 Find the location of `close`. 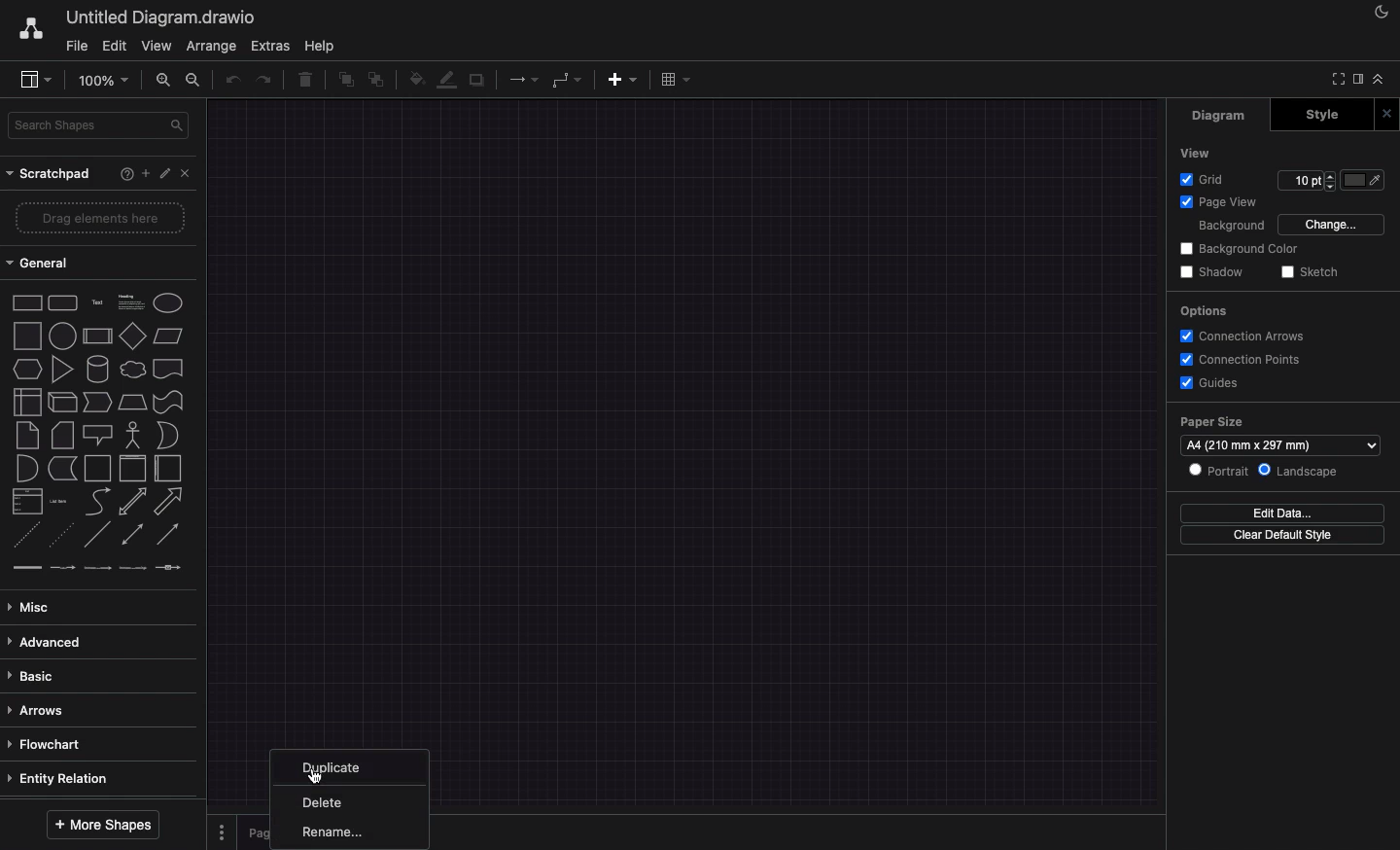

close is located at coordinates (1387, 113).